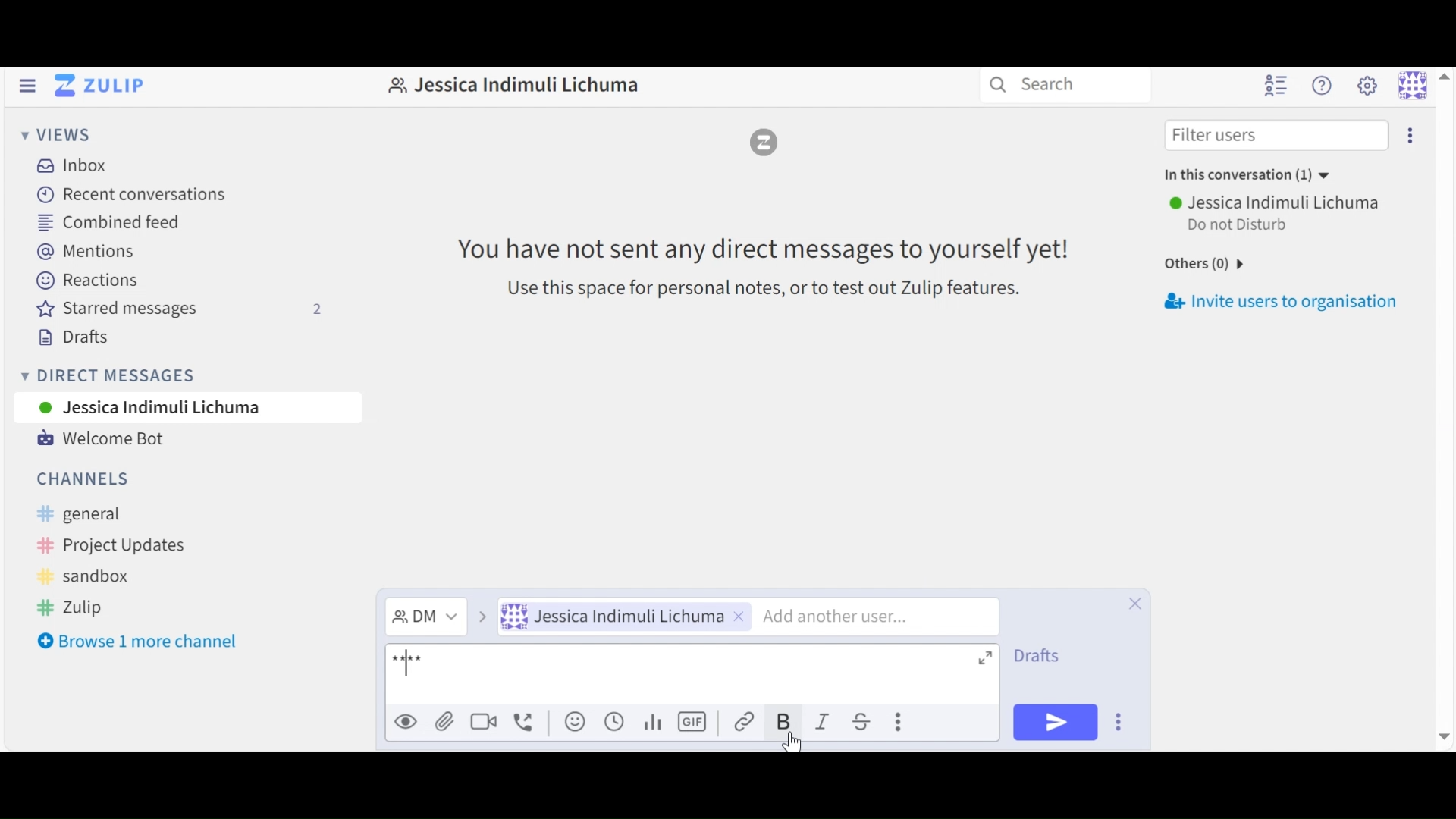  What do you see at coordinates (613, 721) in the screenshot?
I see `Add global time` at bounding box center [613, 721].